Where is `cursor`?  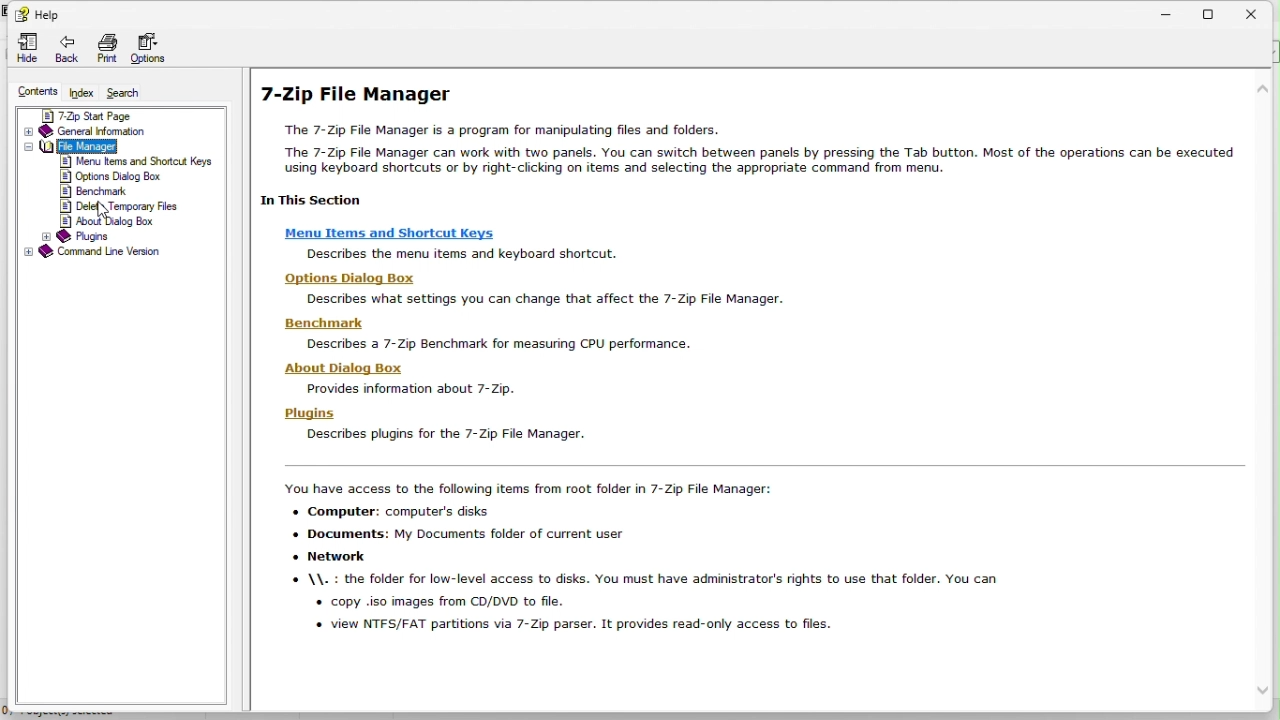
cursor is located at coordinates (100, 215).